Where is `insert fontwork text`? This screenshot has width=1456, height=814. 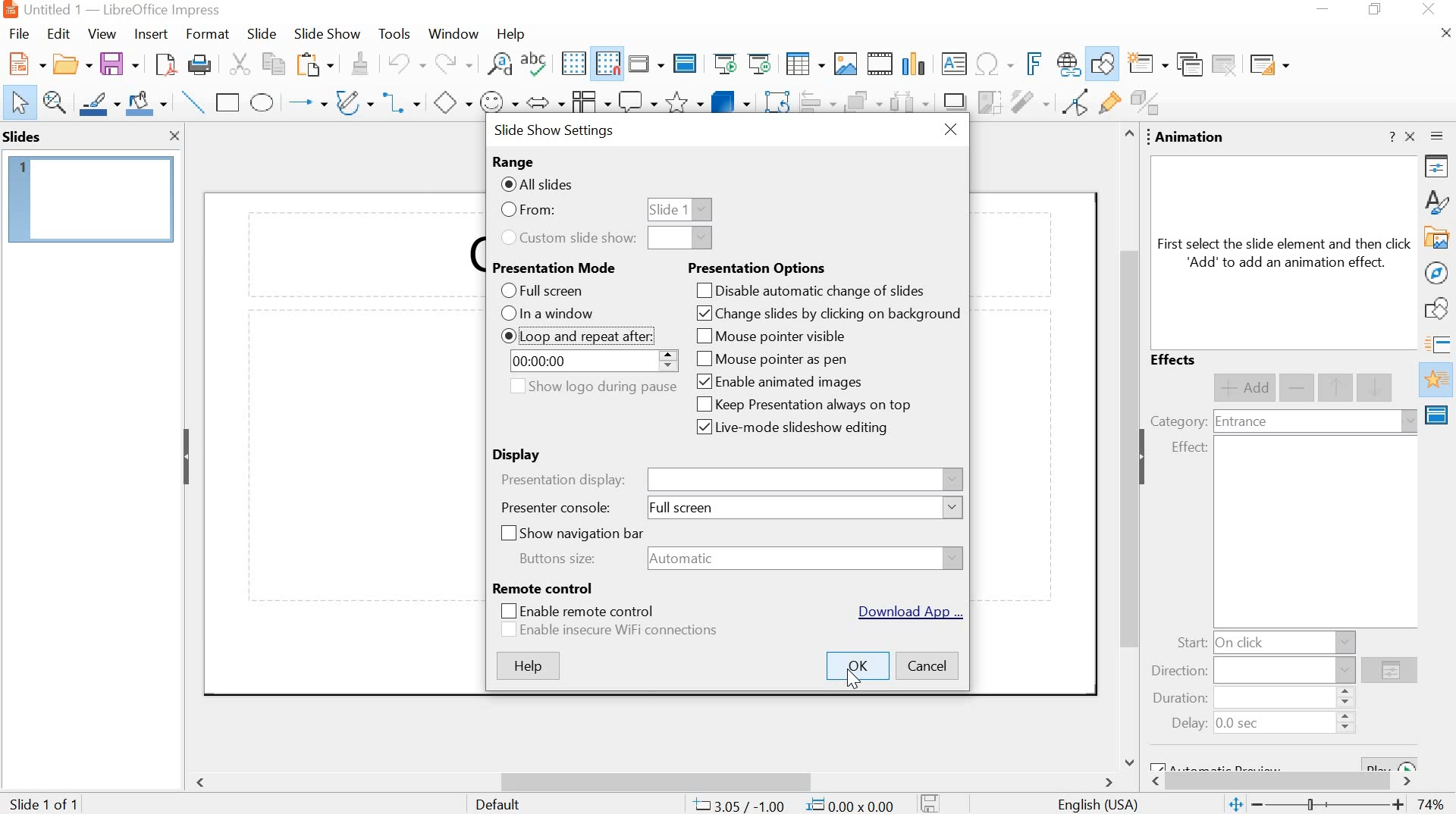 insert fontwork text is located at coordinates (1031, 63).